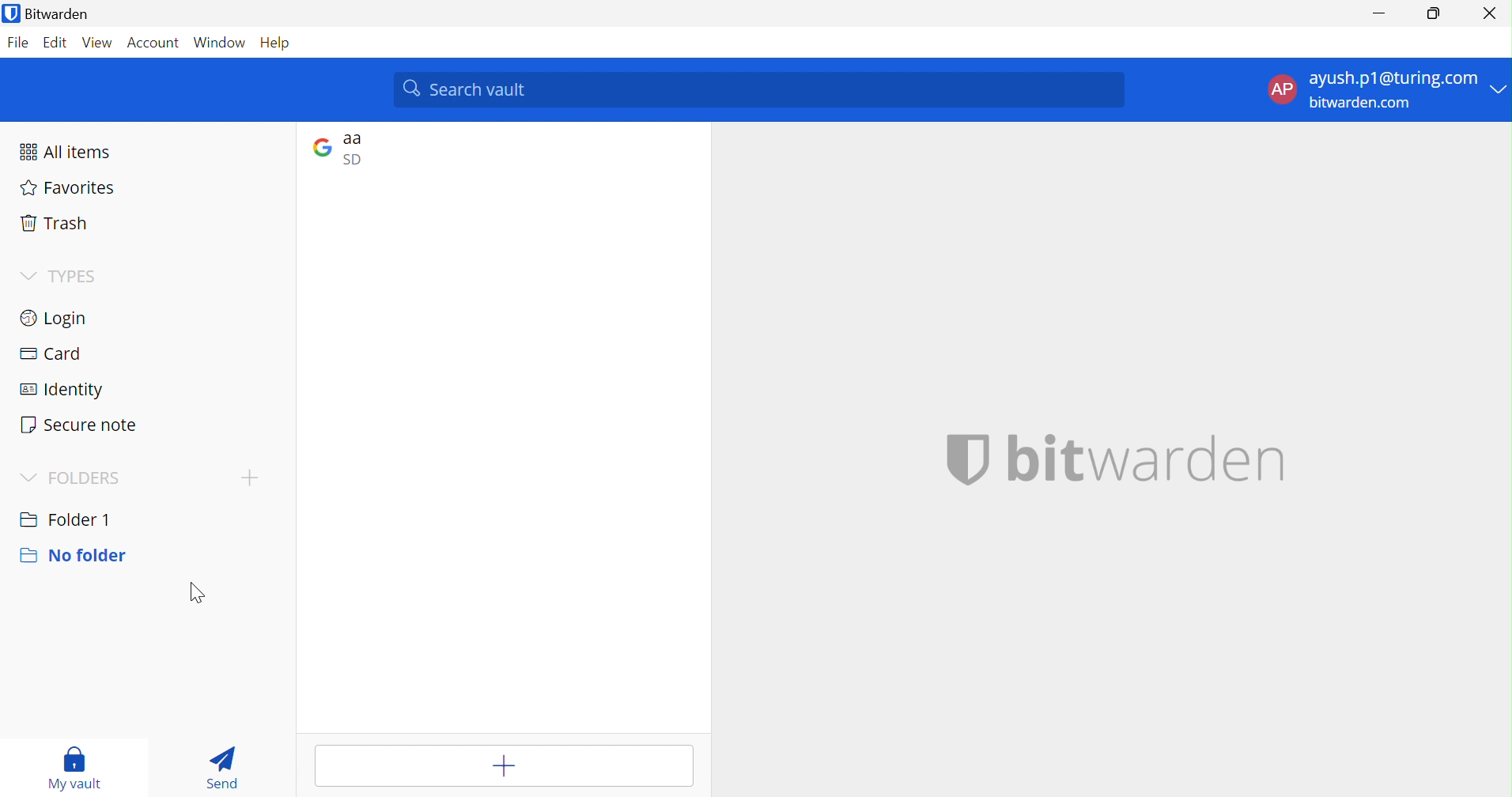 This screenshot has width=1512, height=797. I want to click on Help, so click(283, 44).